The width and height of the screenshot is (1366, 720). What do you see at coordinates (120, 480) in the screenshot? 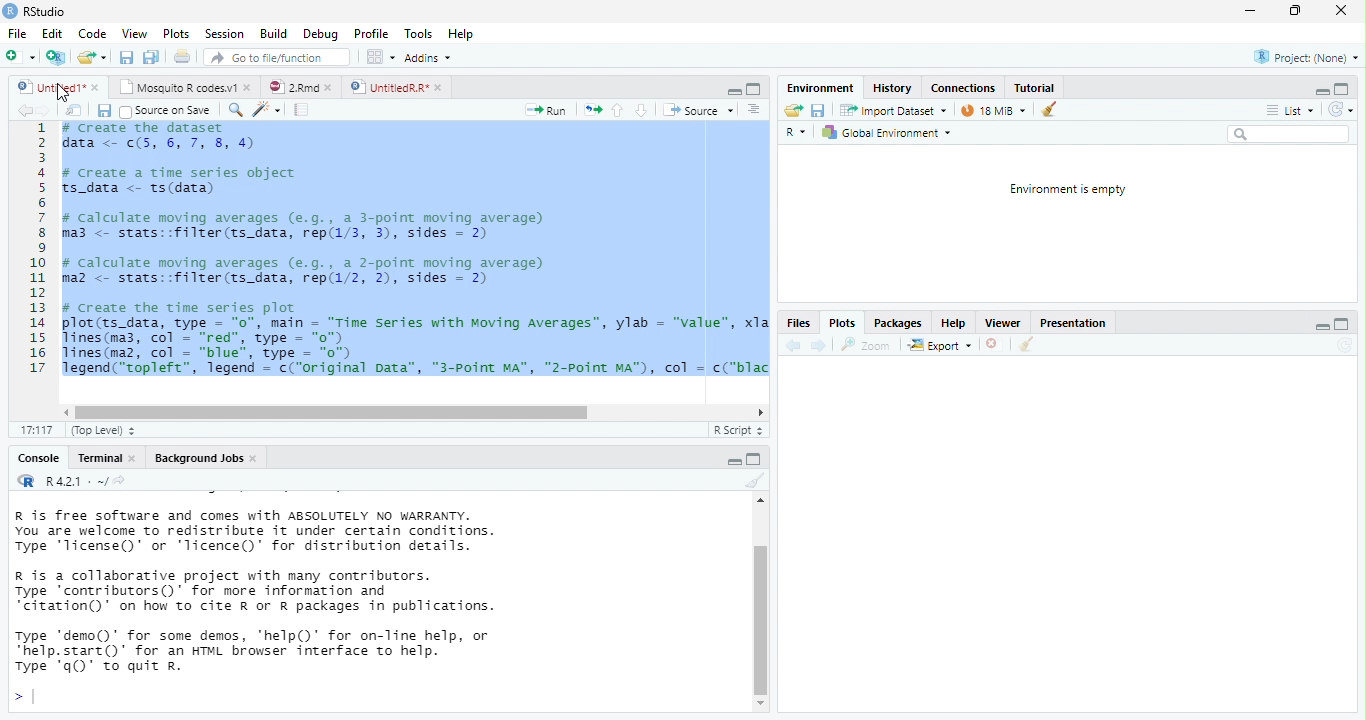
I see `view the current working directory` at bounding box center [120, 480].